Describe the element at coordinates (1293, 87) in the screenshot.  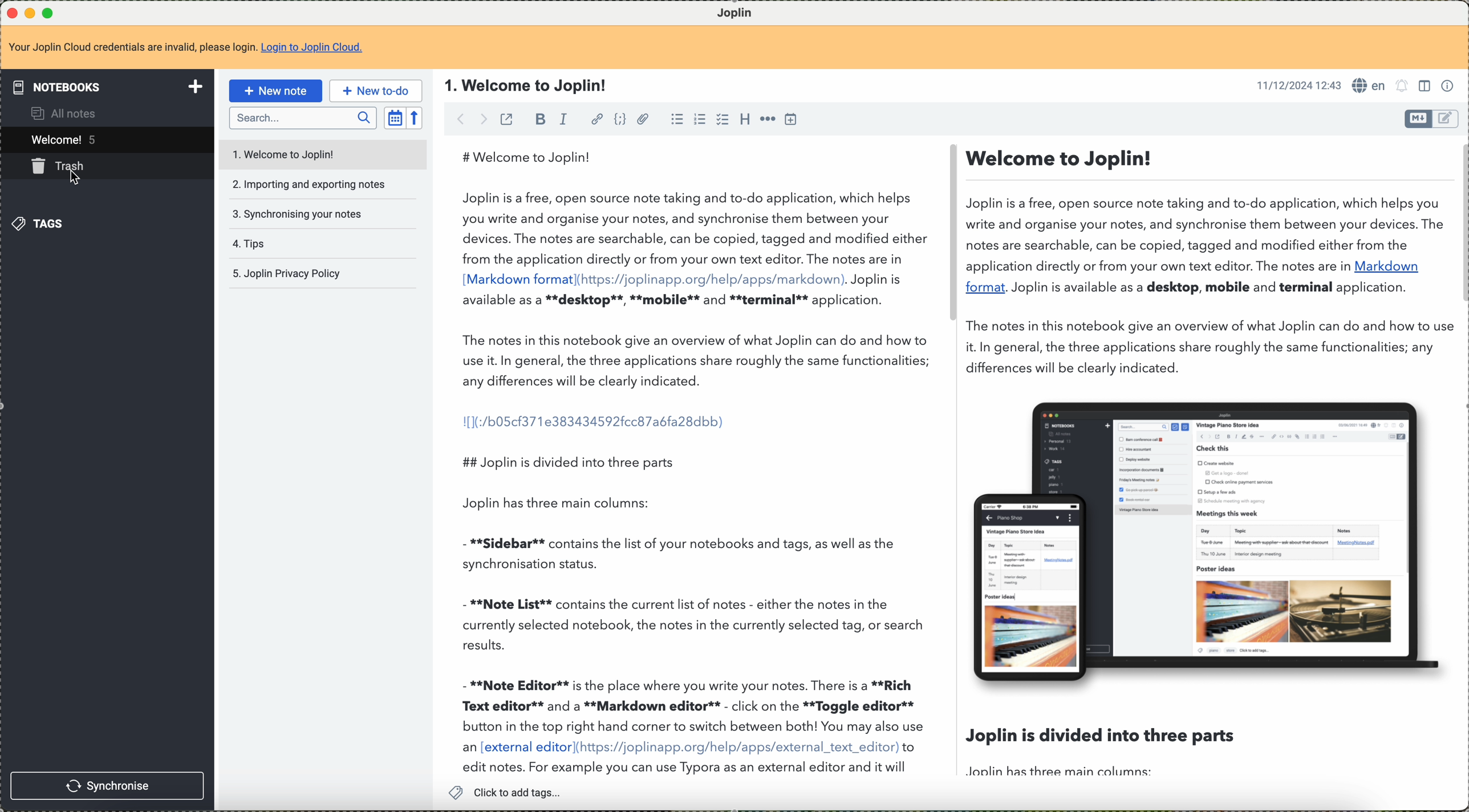
I see `11/12/2024 12:43` at that location.